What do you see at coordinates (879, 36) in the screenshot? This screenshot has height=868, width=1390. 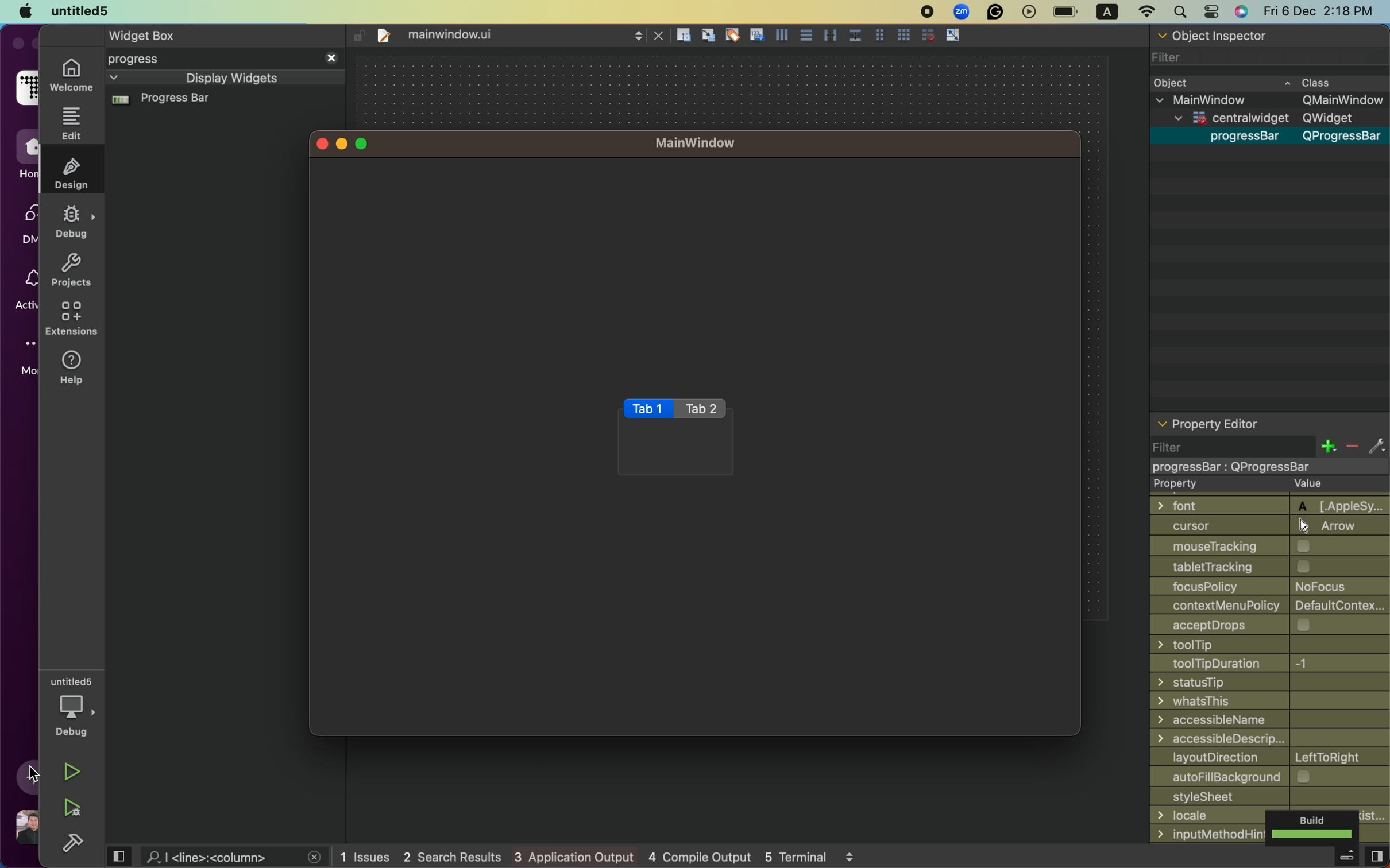 I see `grid view medium` at bounding box center [879, 36].